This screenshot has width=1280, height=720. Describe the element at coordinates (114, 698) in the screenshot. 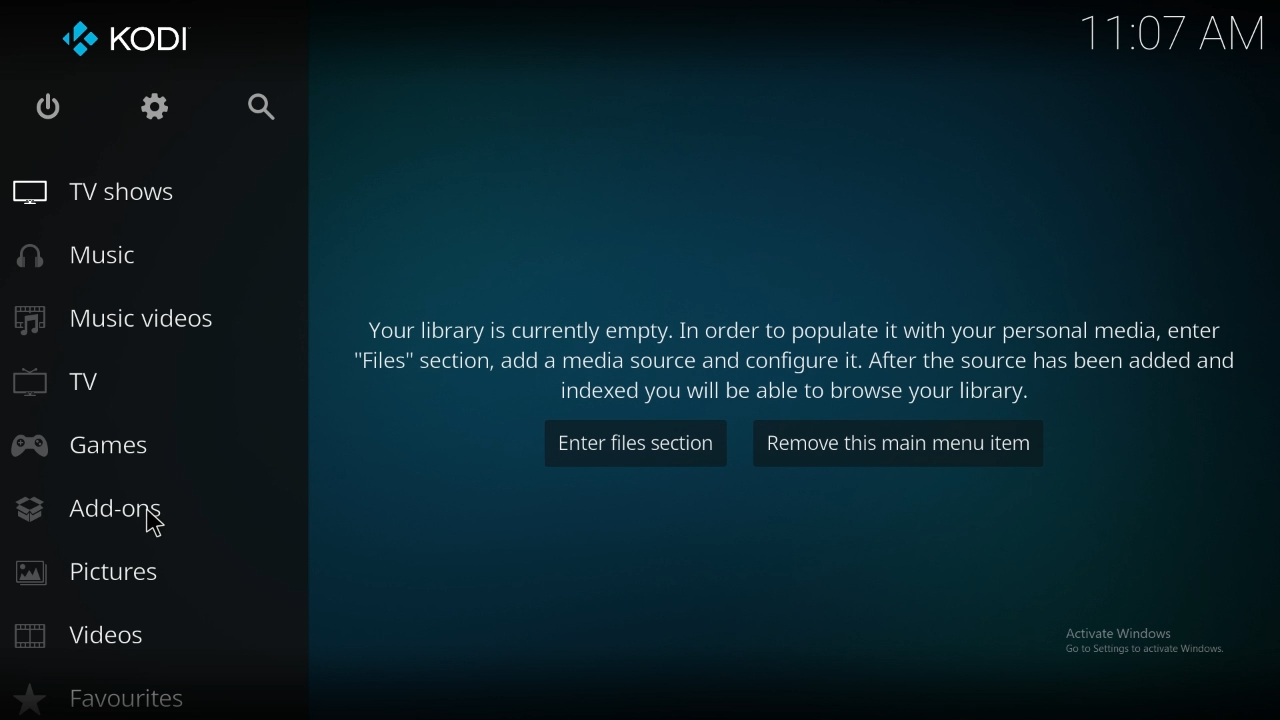

I see `favourites` at that location.